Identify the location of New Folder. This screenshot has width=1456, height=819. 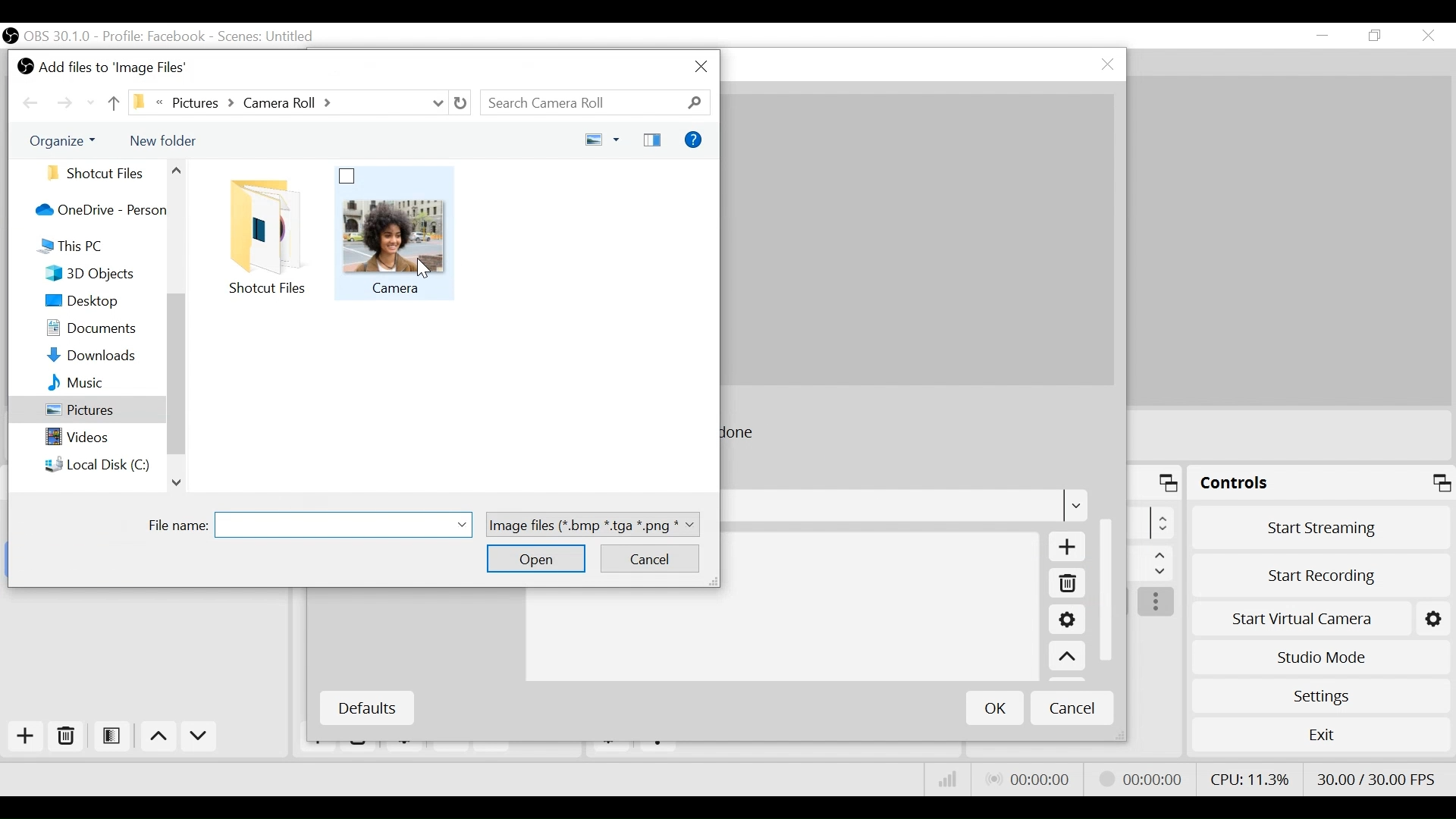
(162, 140).